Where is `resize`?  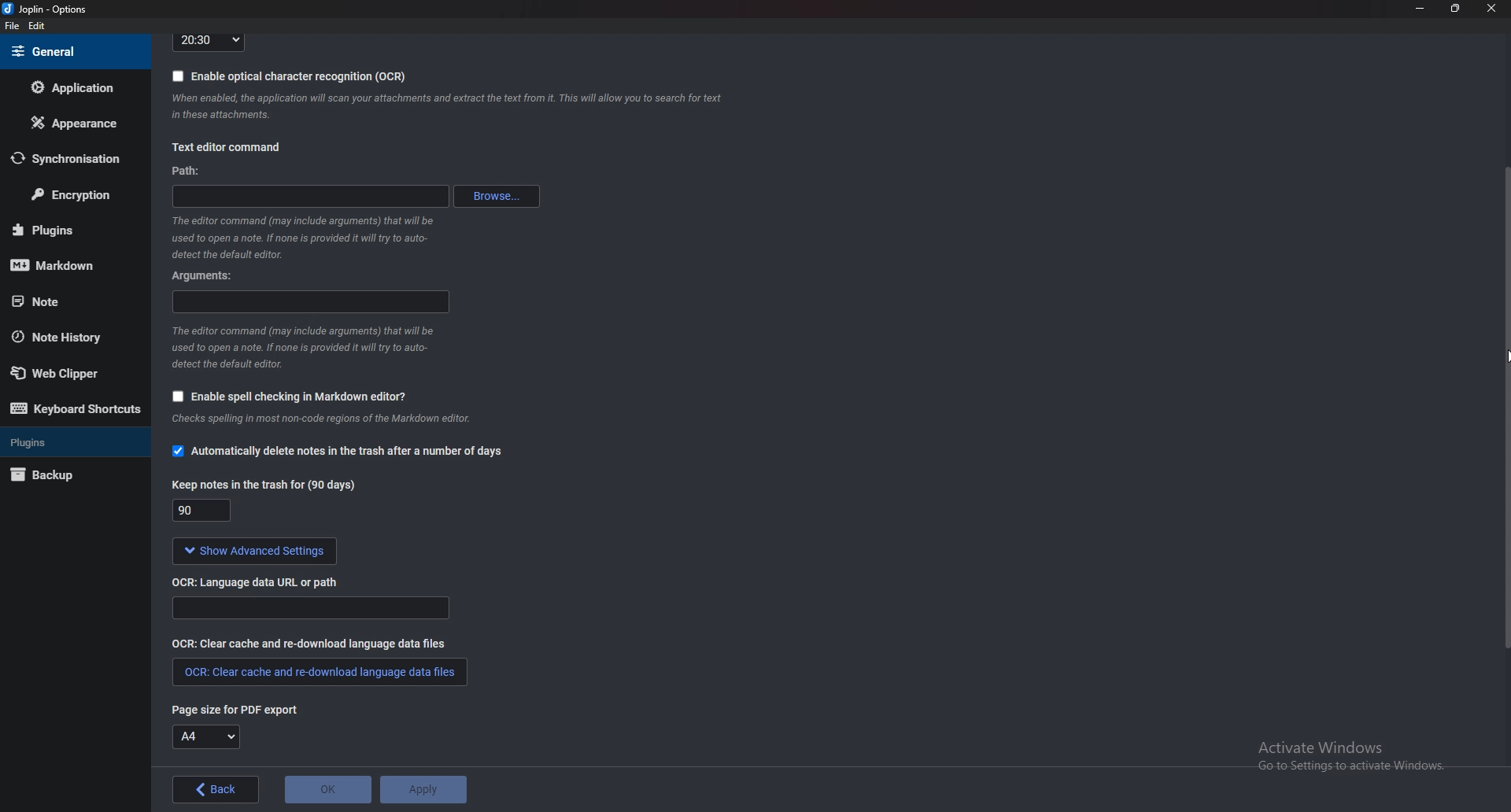 resize is located at coordinates (1454, 8).